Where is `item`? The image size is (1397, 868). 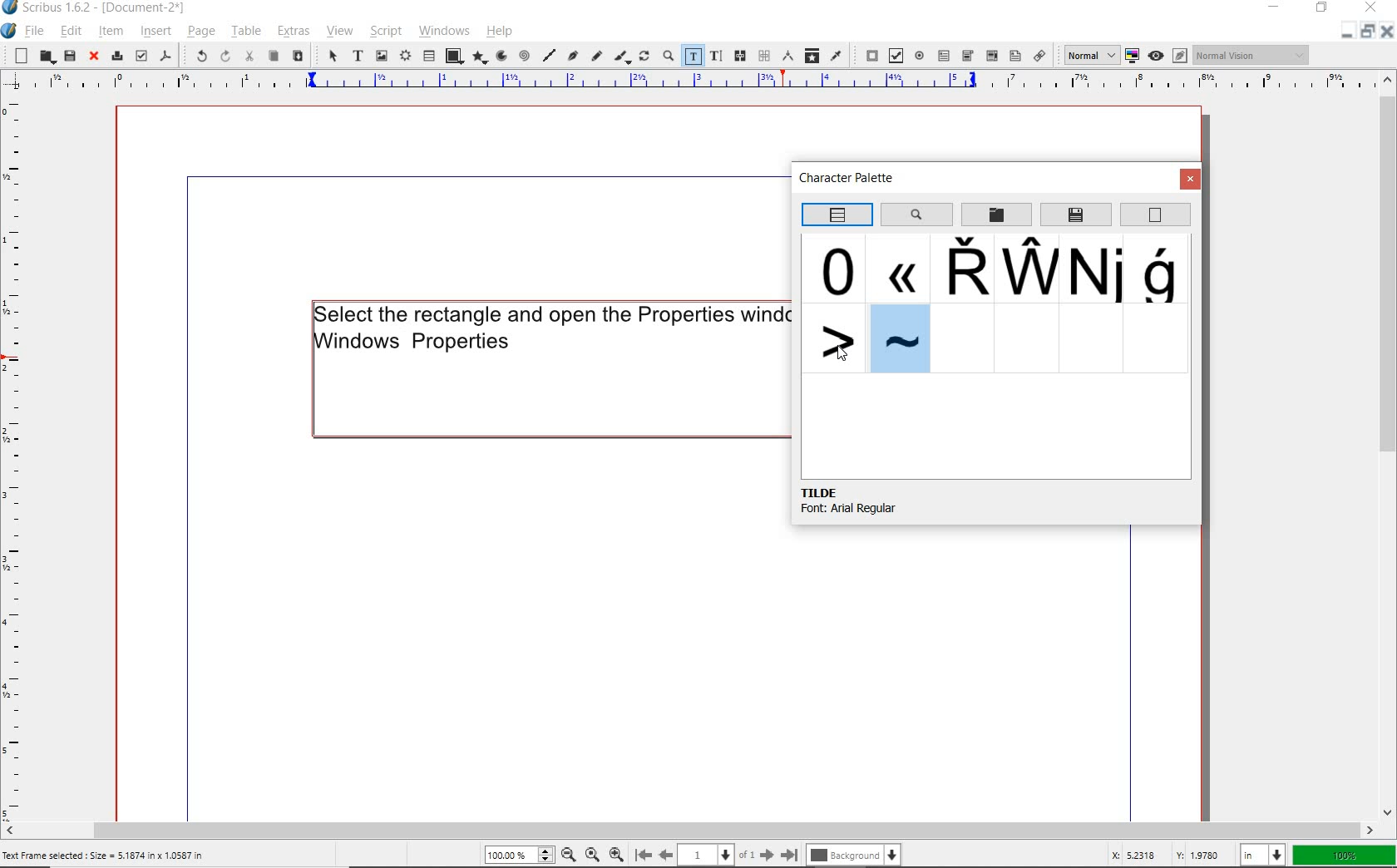
item is located at coordinates (109, 31).